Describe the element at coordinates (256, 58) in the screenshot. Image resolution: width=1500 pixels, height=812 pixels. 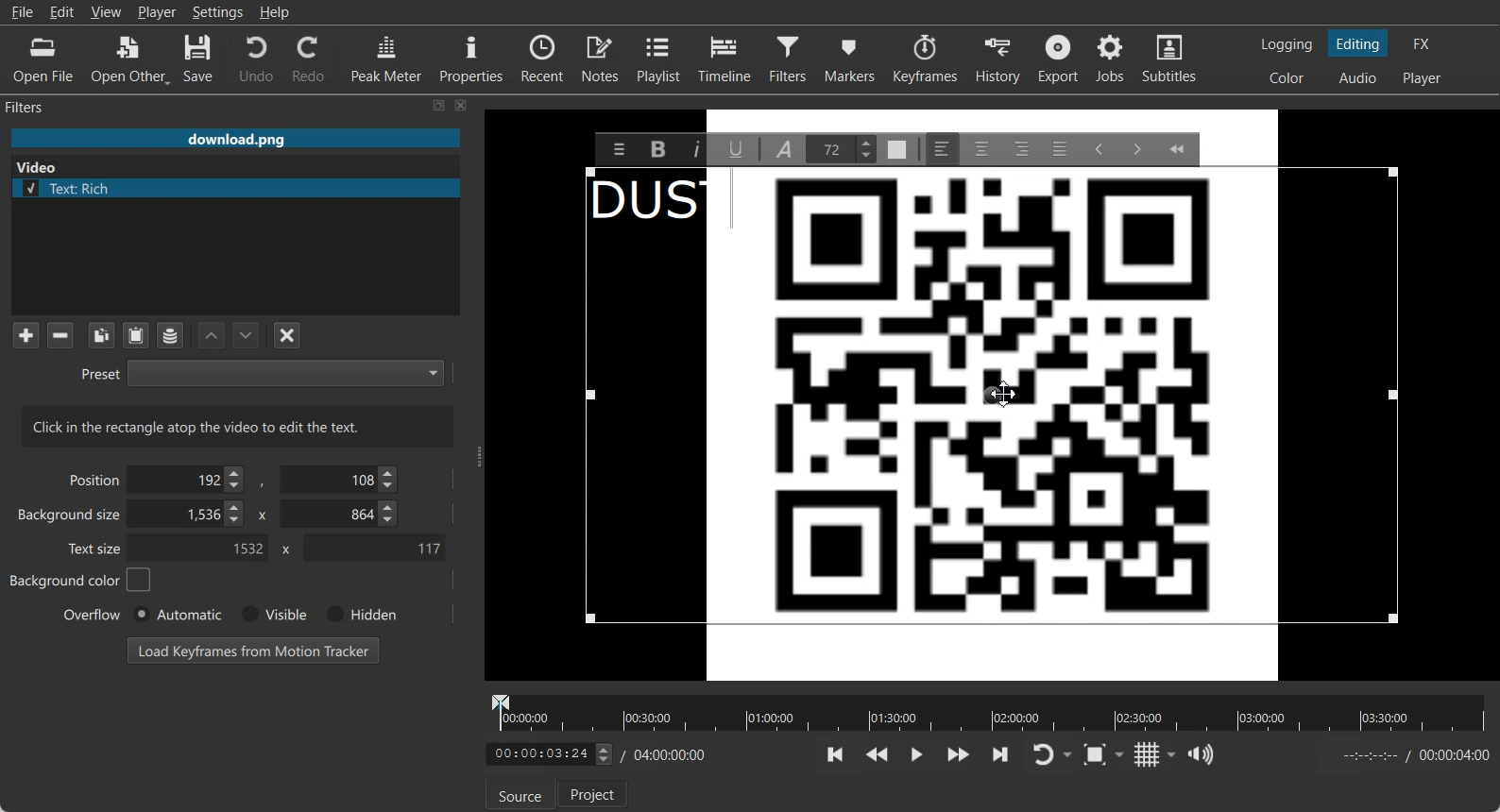
I see `Undo` at that location.